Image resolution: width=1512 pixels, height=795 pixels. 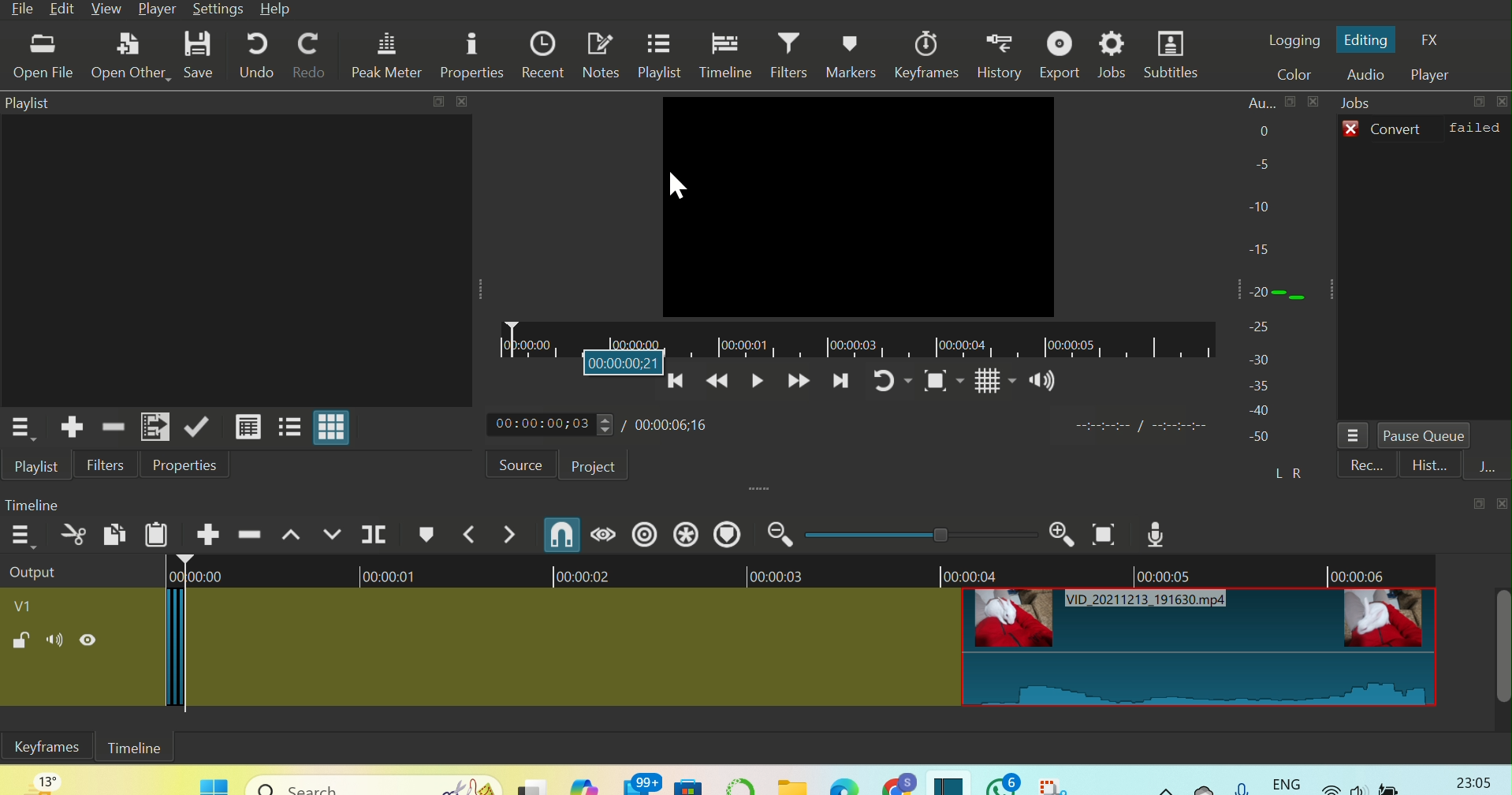 What do you see at coordinates (601, 423) in the screenshot?
I see `Playtime` at bounding box center [601, 423].